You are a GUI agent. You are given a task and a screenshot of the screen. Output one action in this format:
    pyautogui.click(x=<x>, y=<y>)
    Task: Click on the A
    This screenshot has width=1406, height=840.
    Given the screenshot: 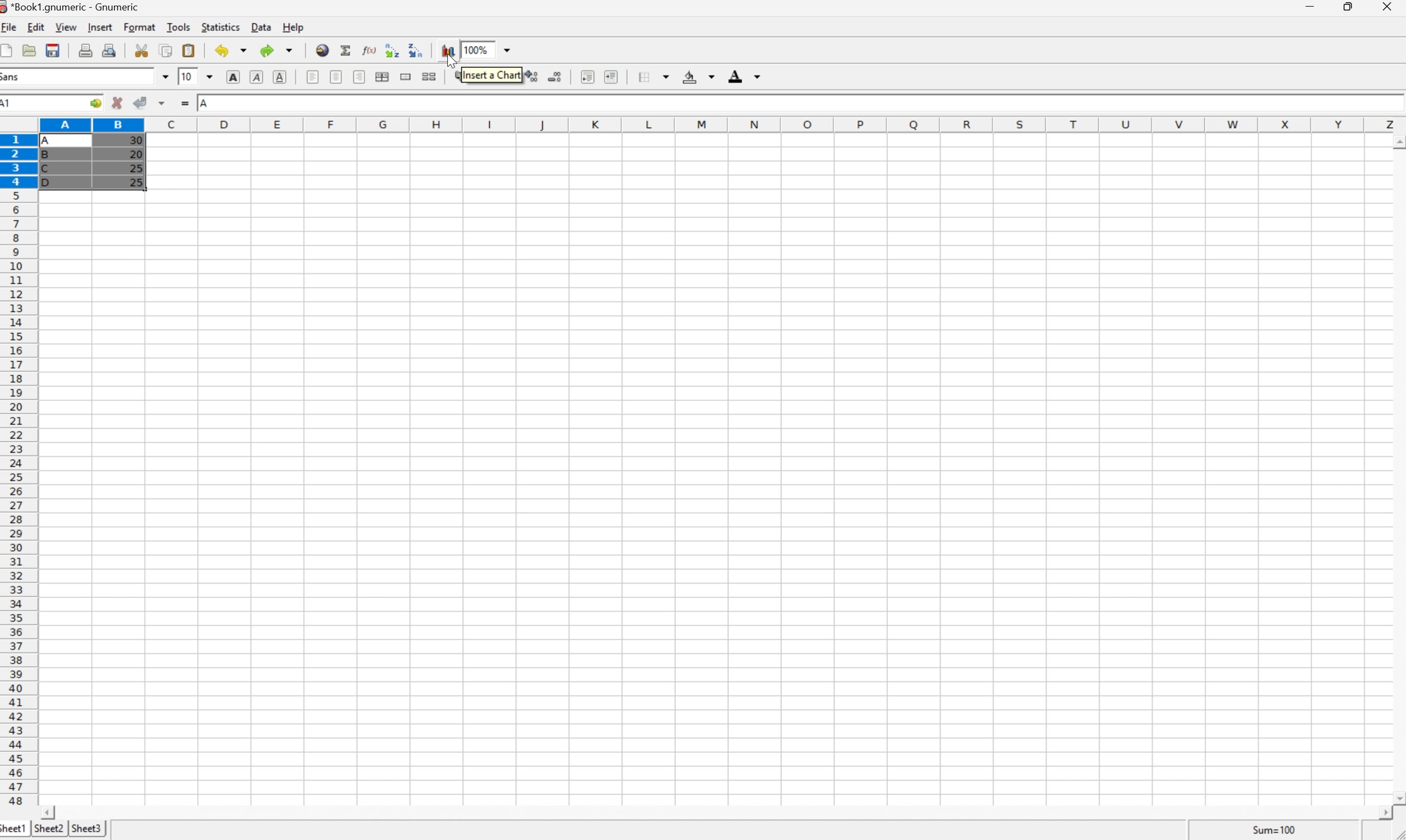 What is the action you would take?
    pyautogui.click(x=205, y=104)
    